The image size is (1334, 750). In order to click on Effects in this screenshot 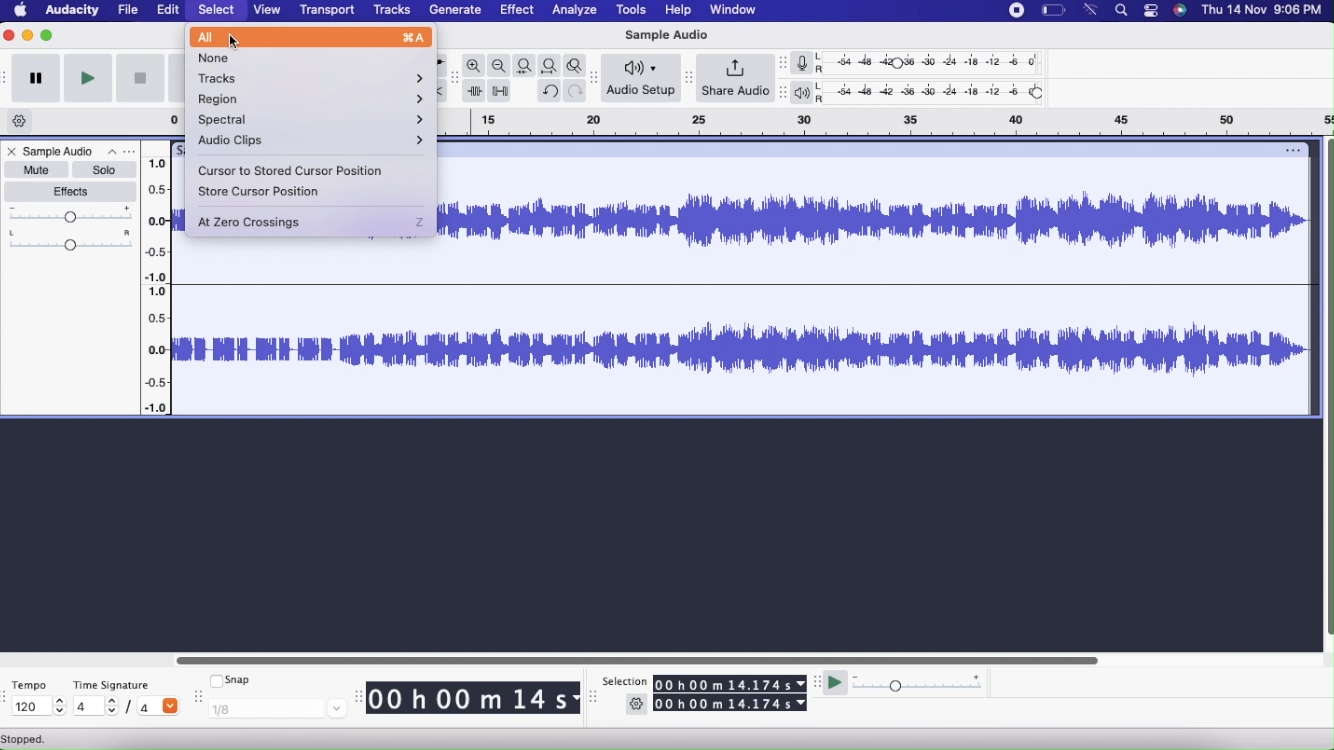, I will do `click(71, 191)`.